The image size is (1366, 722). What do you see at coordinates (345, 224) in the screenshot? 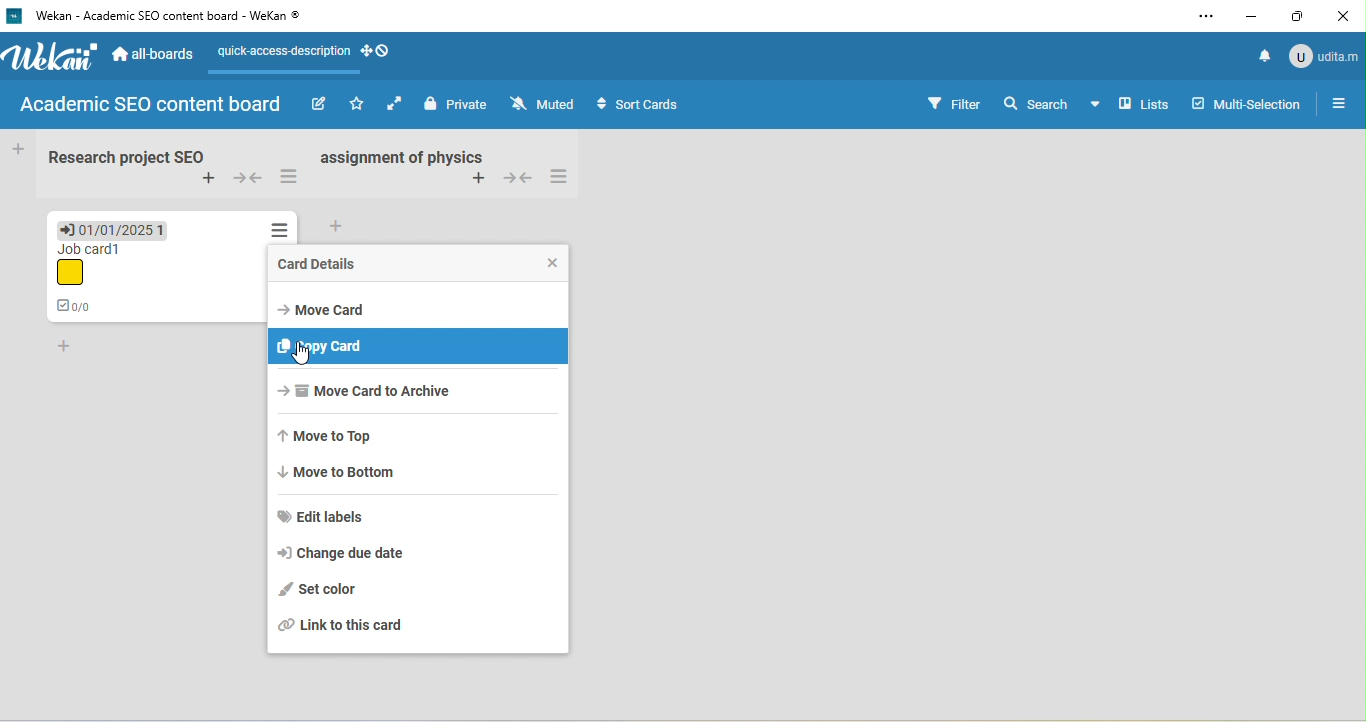
I see `add` at bounding box center [345, 224].